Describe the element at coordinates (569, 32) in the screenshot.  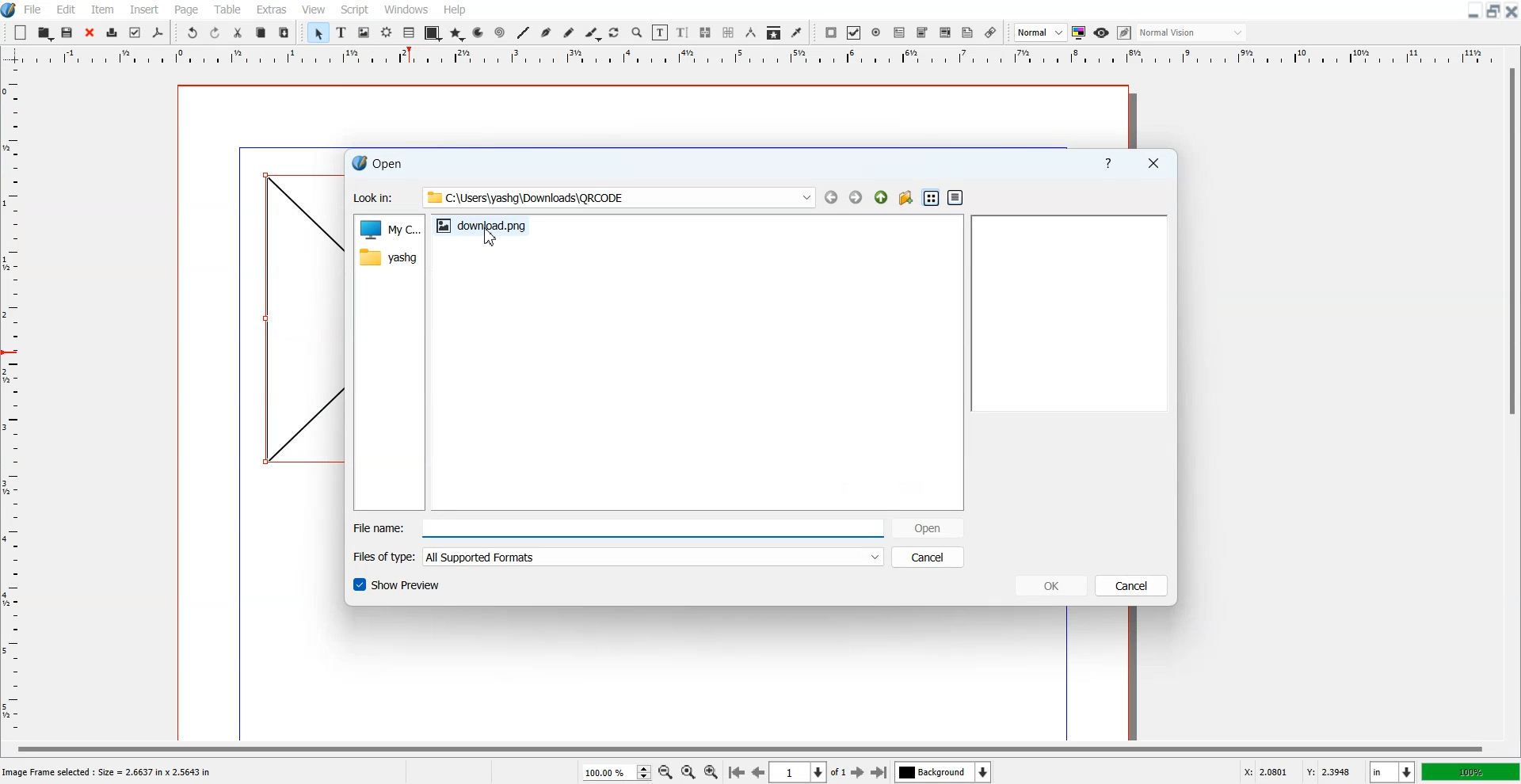
I see `Freehand Line` at that location.